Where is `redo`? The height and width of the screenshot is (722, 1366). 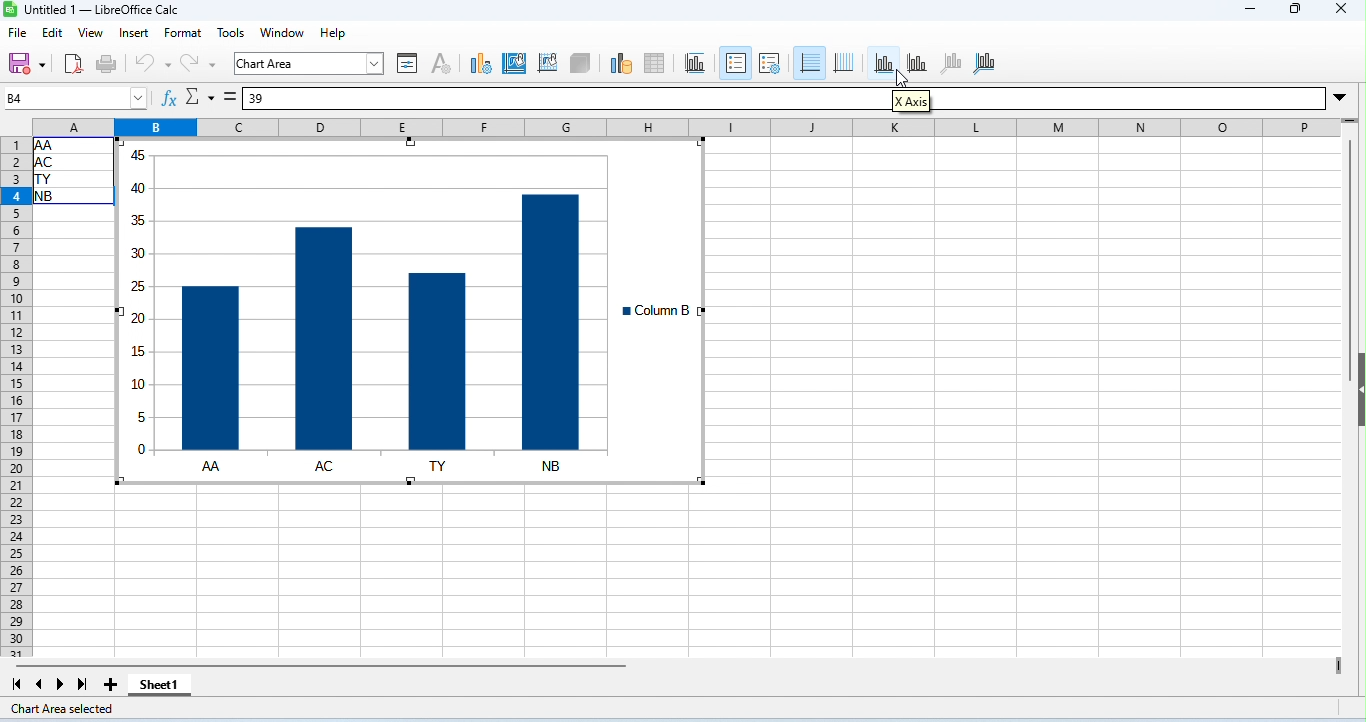 redo is located at coordinates (199, 61).